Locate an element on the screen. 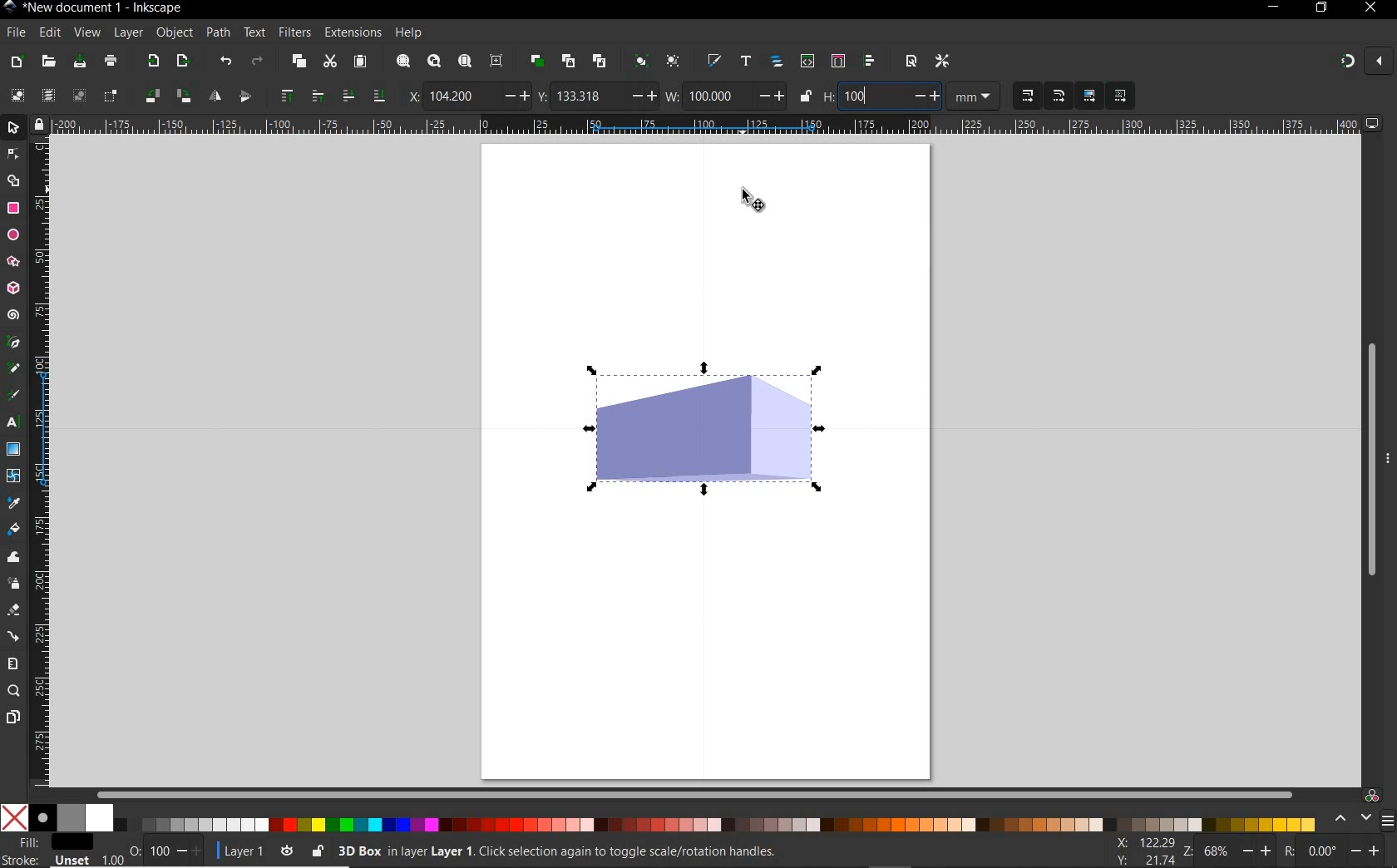 This screenshot has width=1397, height=868. object rotate is located at coordinates (182, 96).